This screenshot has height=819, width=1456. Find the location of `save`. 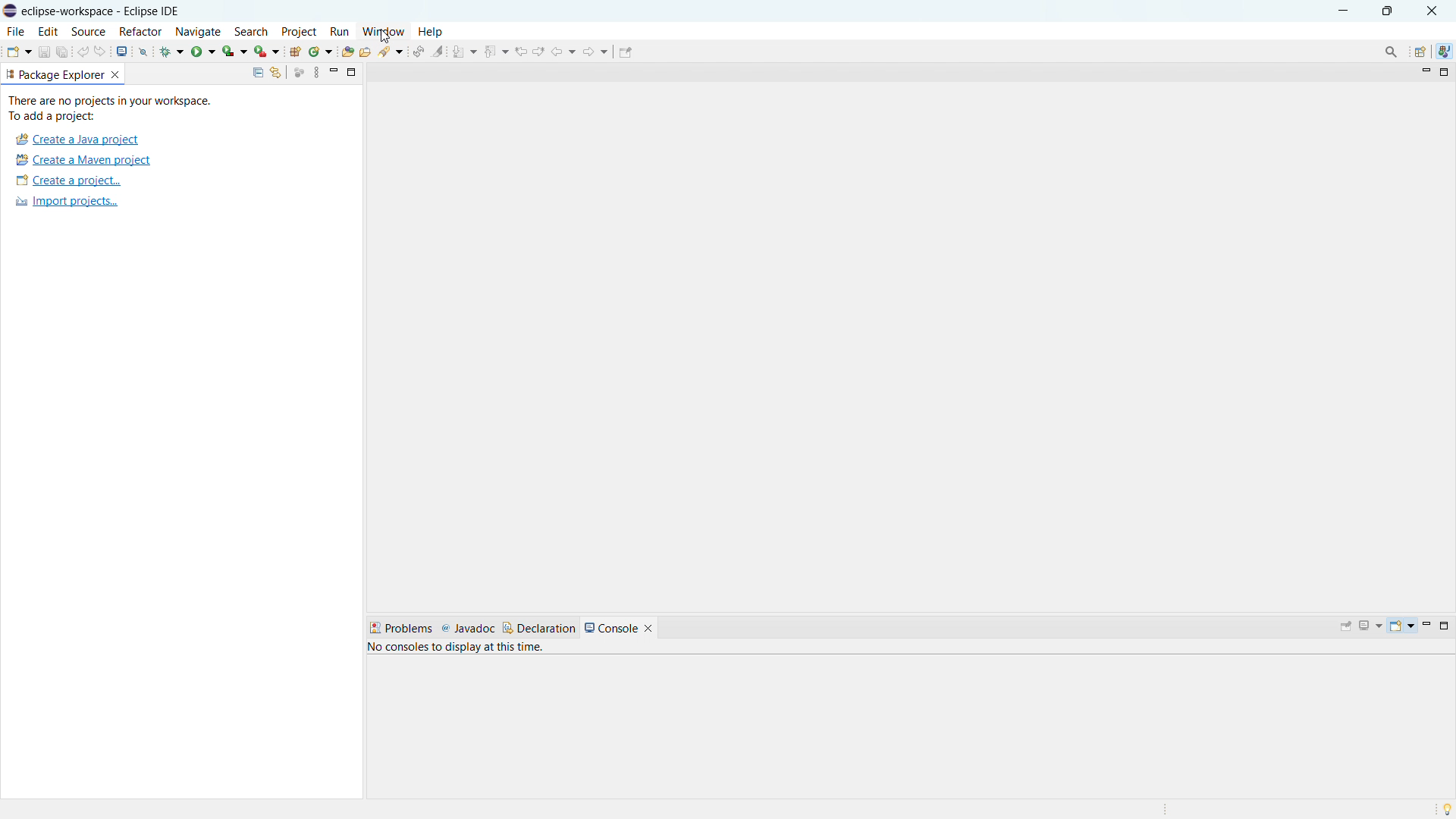

save is located at coordinates (44, 51).